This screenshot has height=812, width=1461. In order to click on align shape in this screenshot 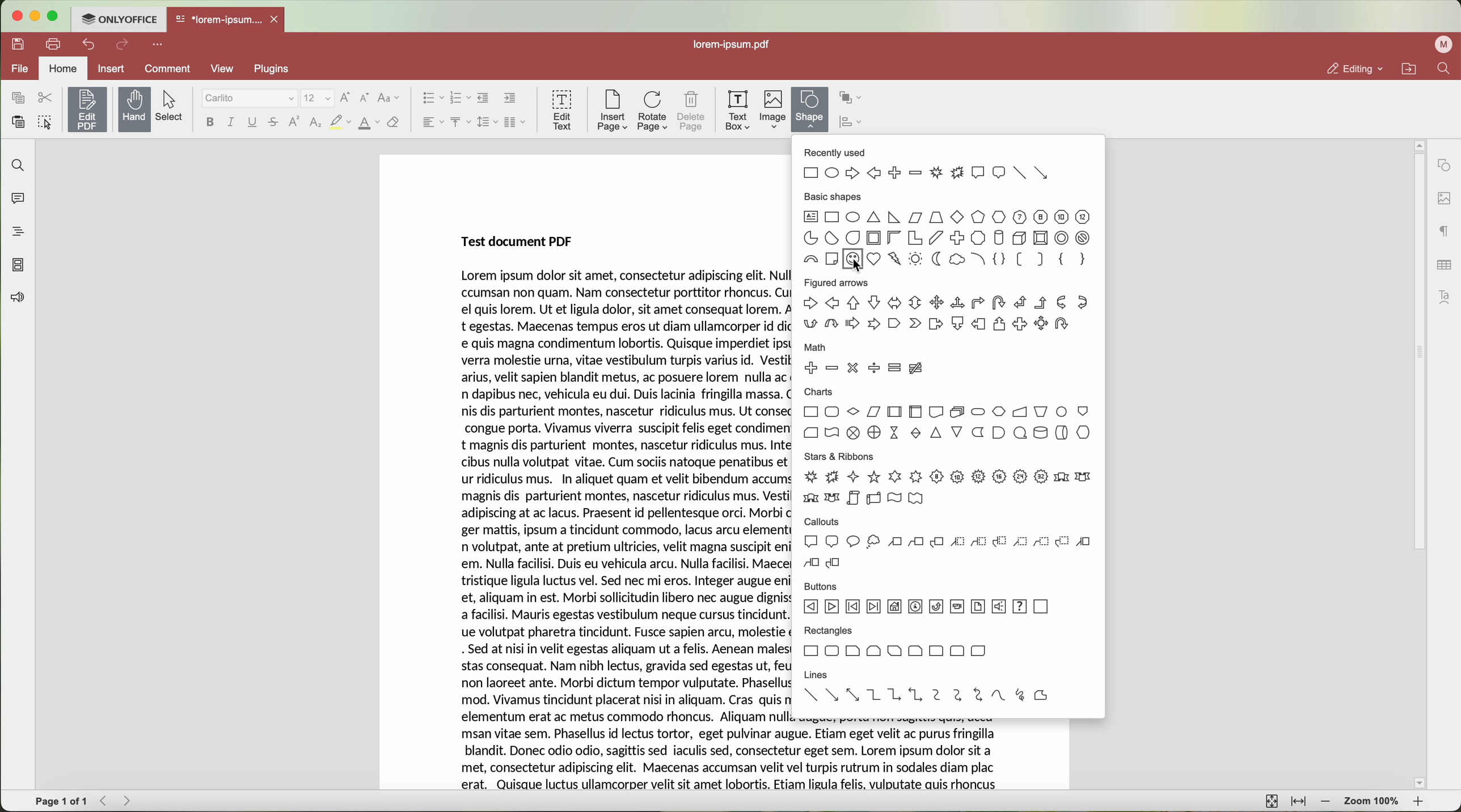, I will do `click(854, 124)`.